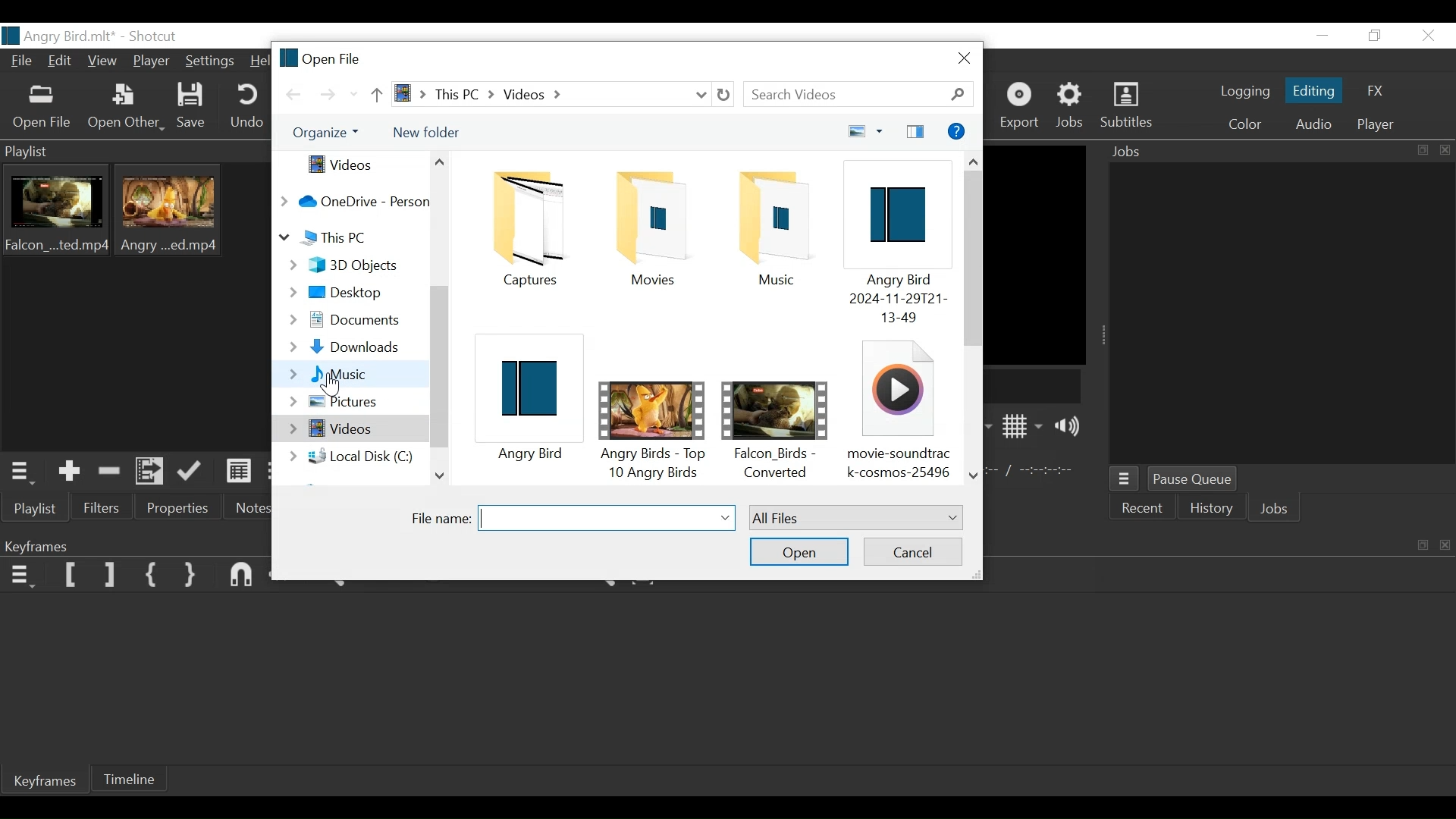 This screenshot has width=1456, height=819. I want to click on Open Other, so click(126, 107).